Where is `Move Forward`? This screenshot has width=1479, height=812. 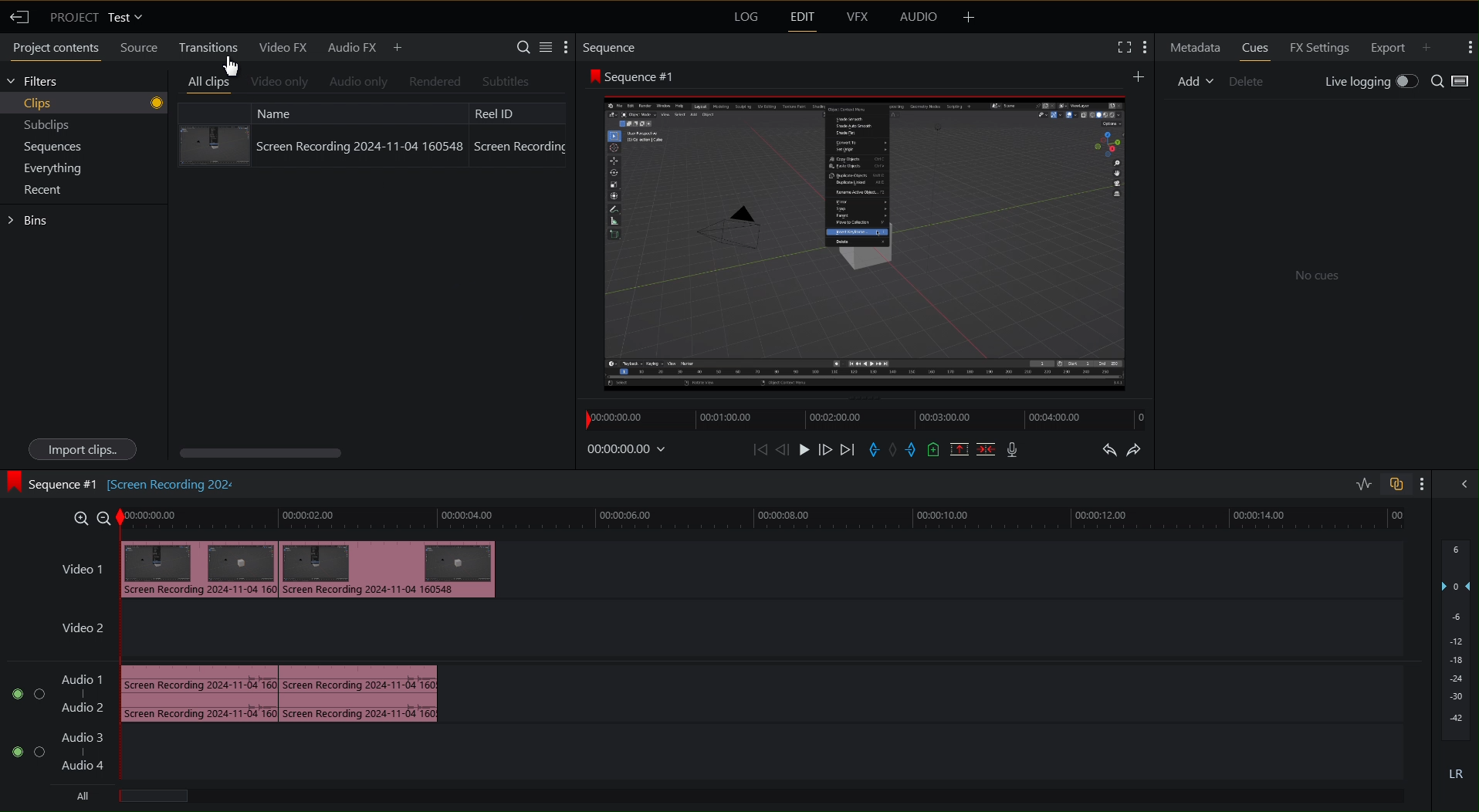
Move Forward is located at coordinates (825, 450).